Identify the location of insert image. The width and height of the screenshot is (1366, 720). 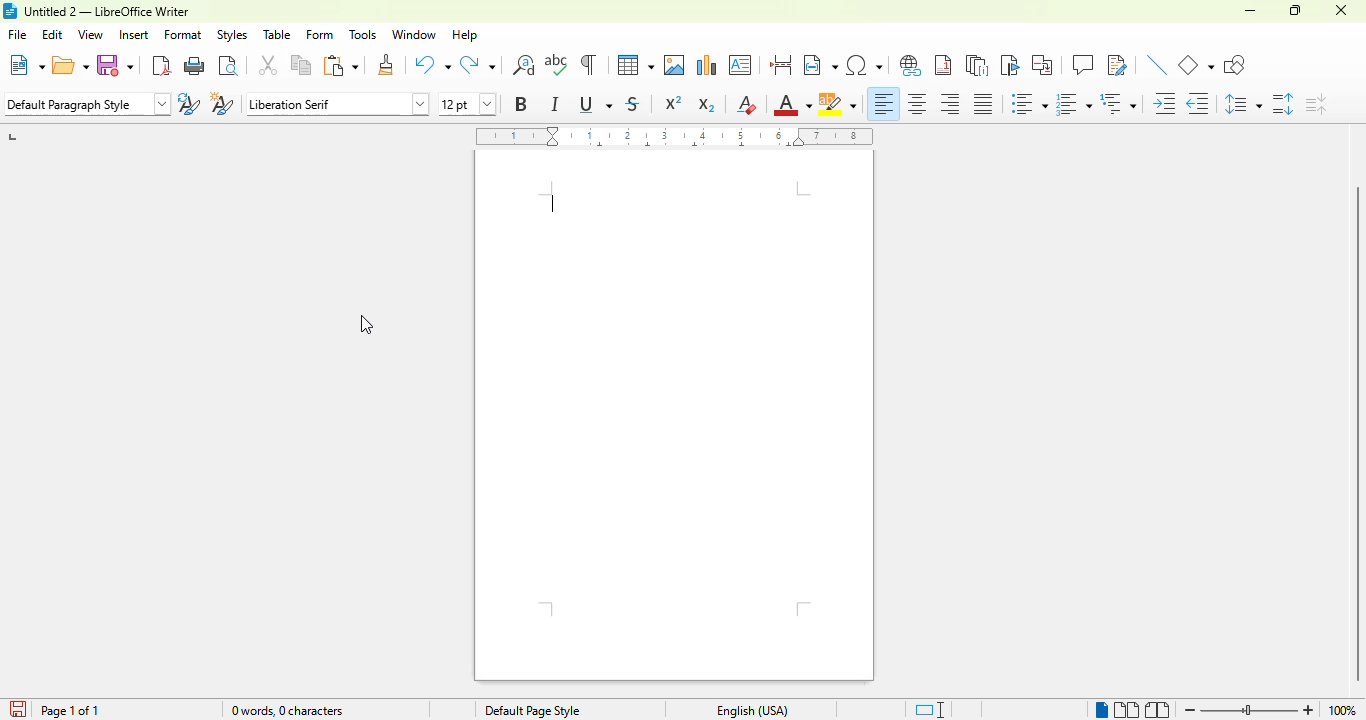
(674, 65).